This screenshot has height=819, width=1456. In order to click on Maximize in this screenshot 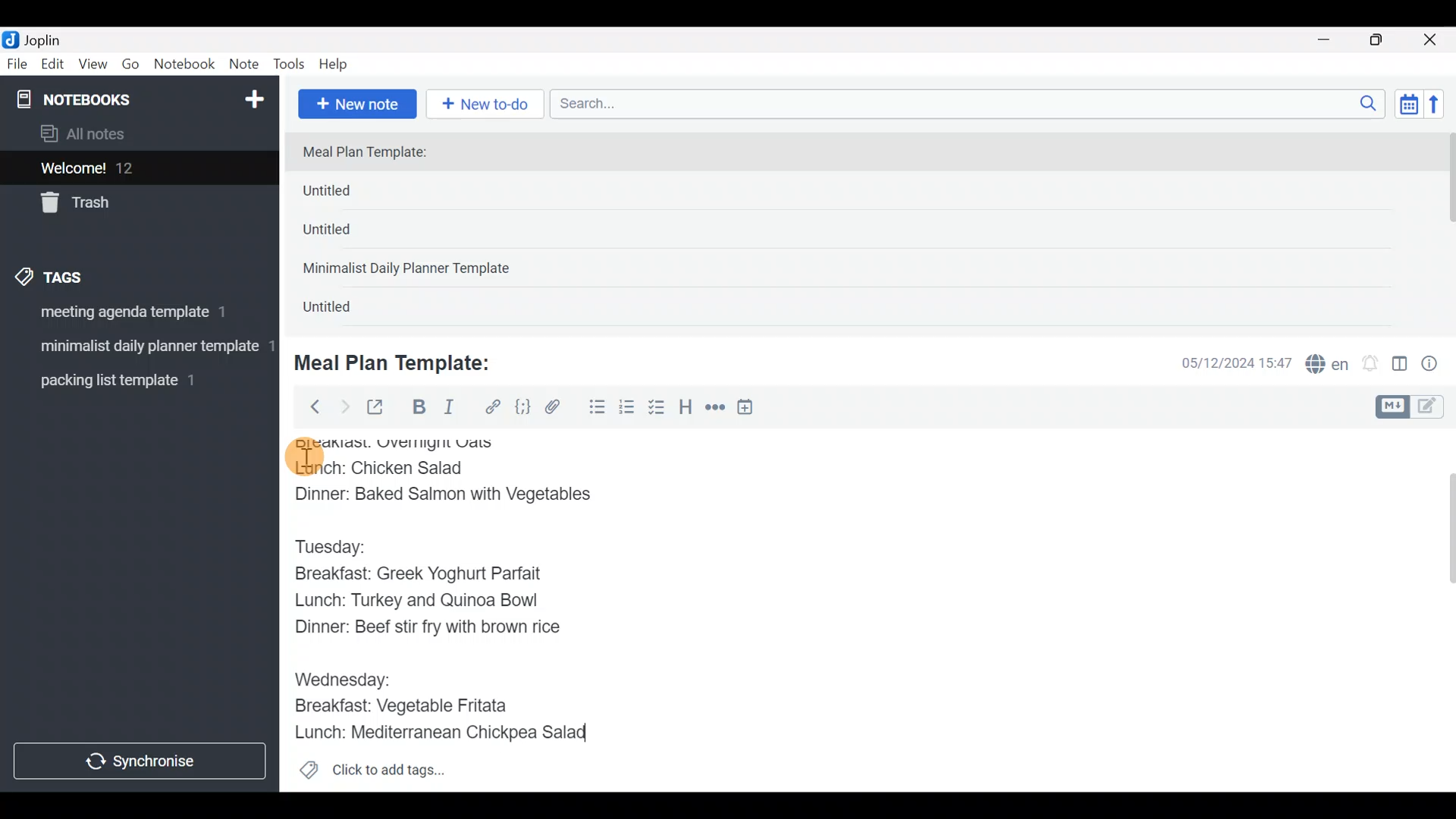, I will do `click(1385, 40)`.